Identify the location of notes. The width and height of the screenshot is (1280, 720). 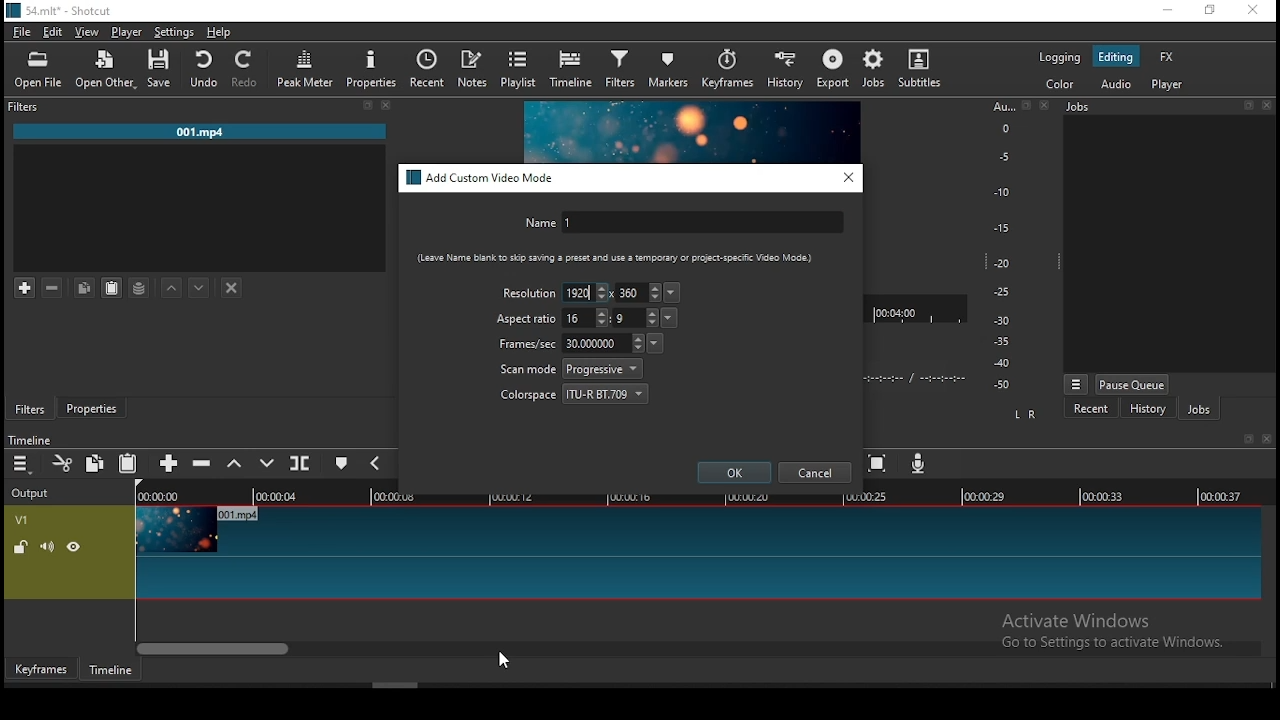
(472, 69).